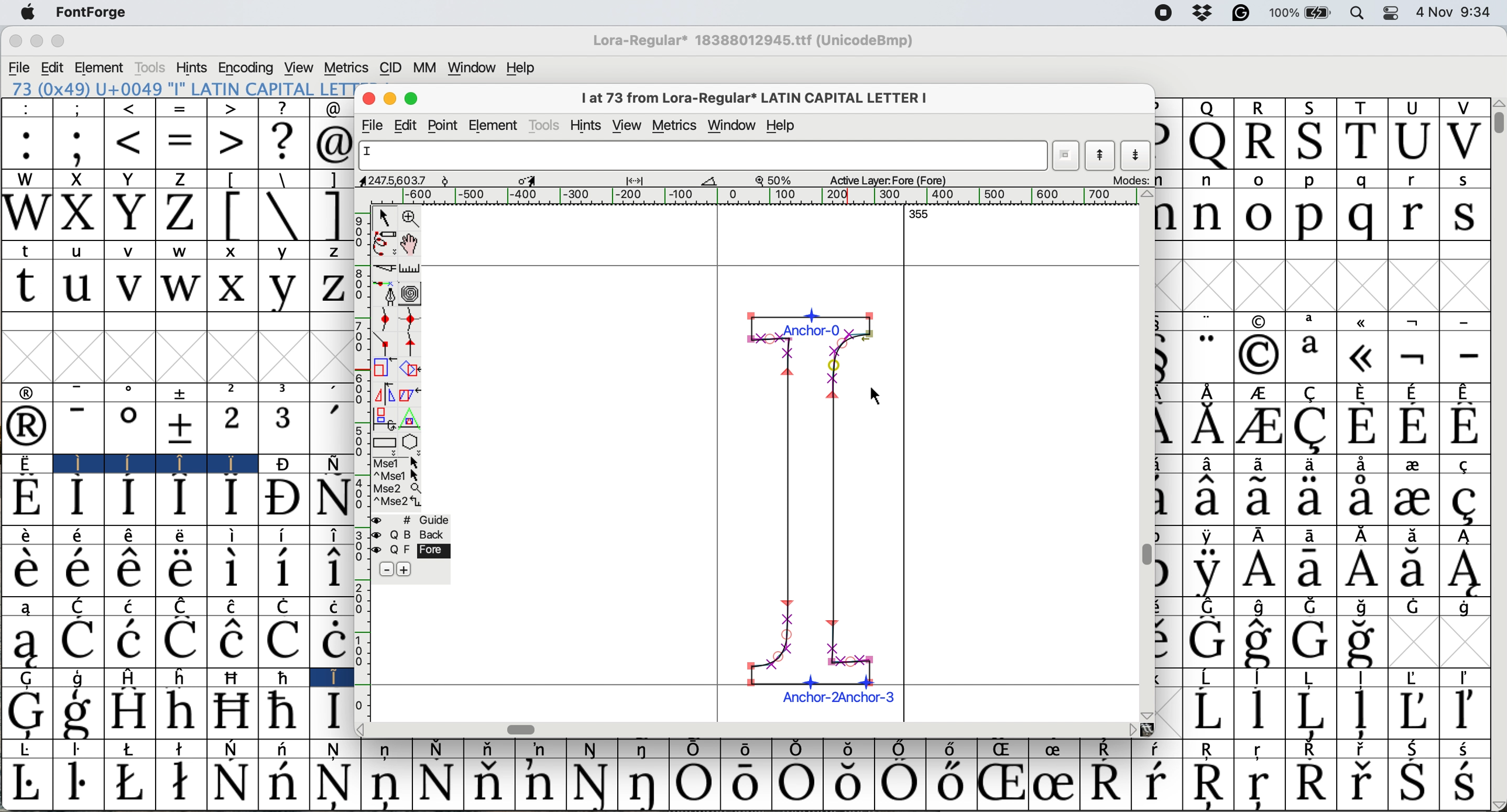 The width and height of the screenshot is (1507, 812). What do you see at coordinates (386, 267) in the screenshot?
I see `cut splines in two` at bounding box center [386, 267].